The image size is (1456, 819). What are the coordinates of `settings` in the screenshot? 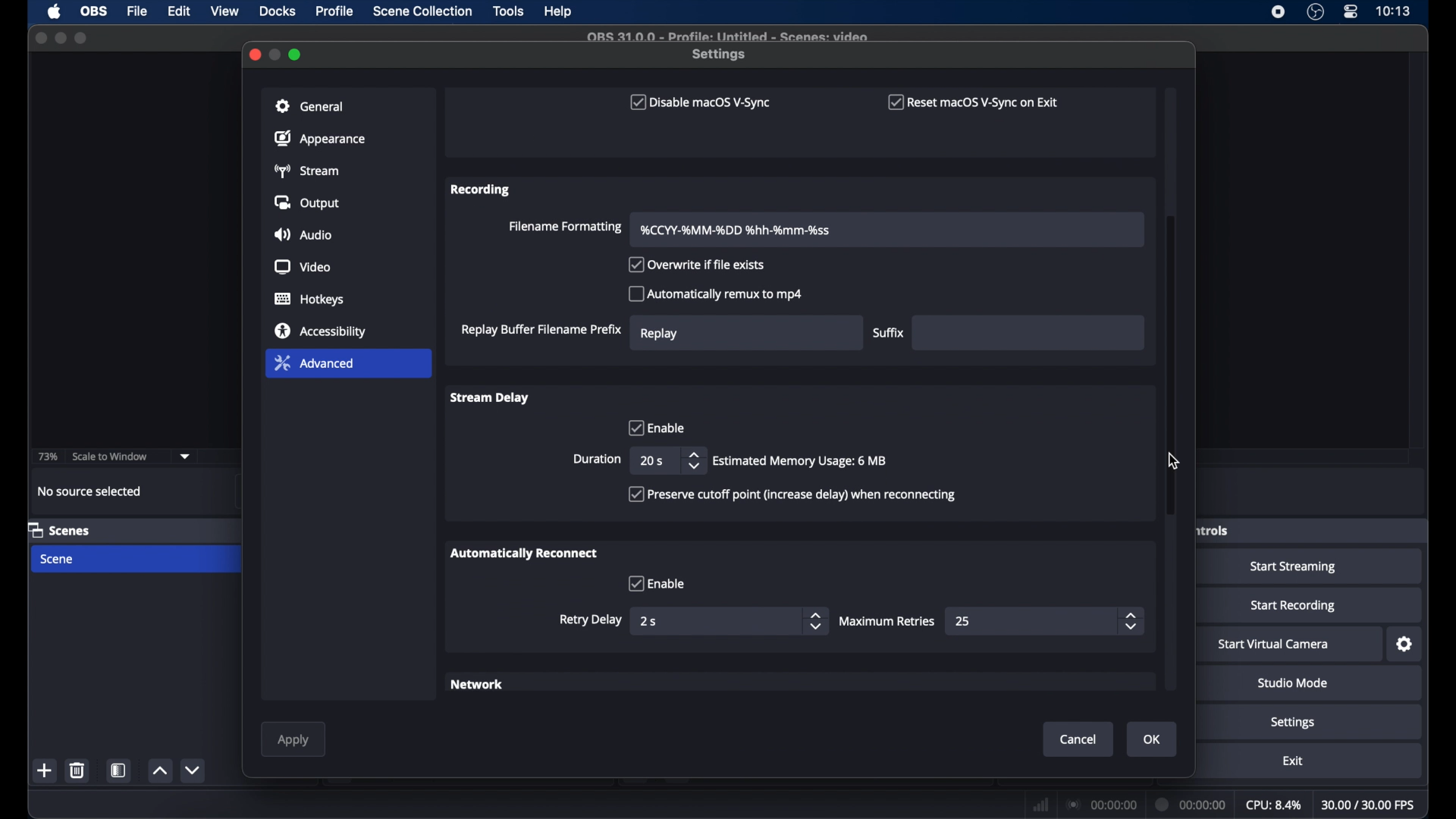 It's located at (1294, 723).